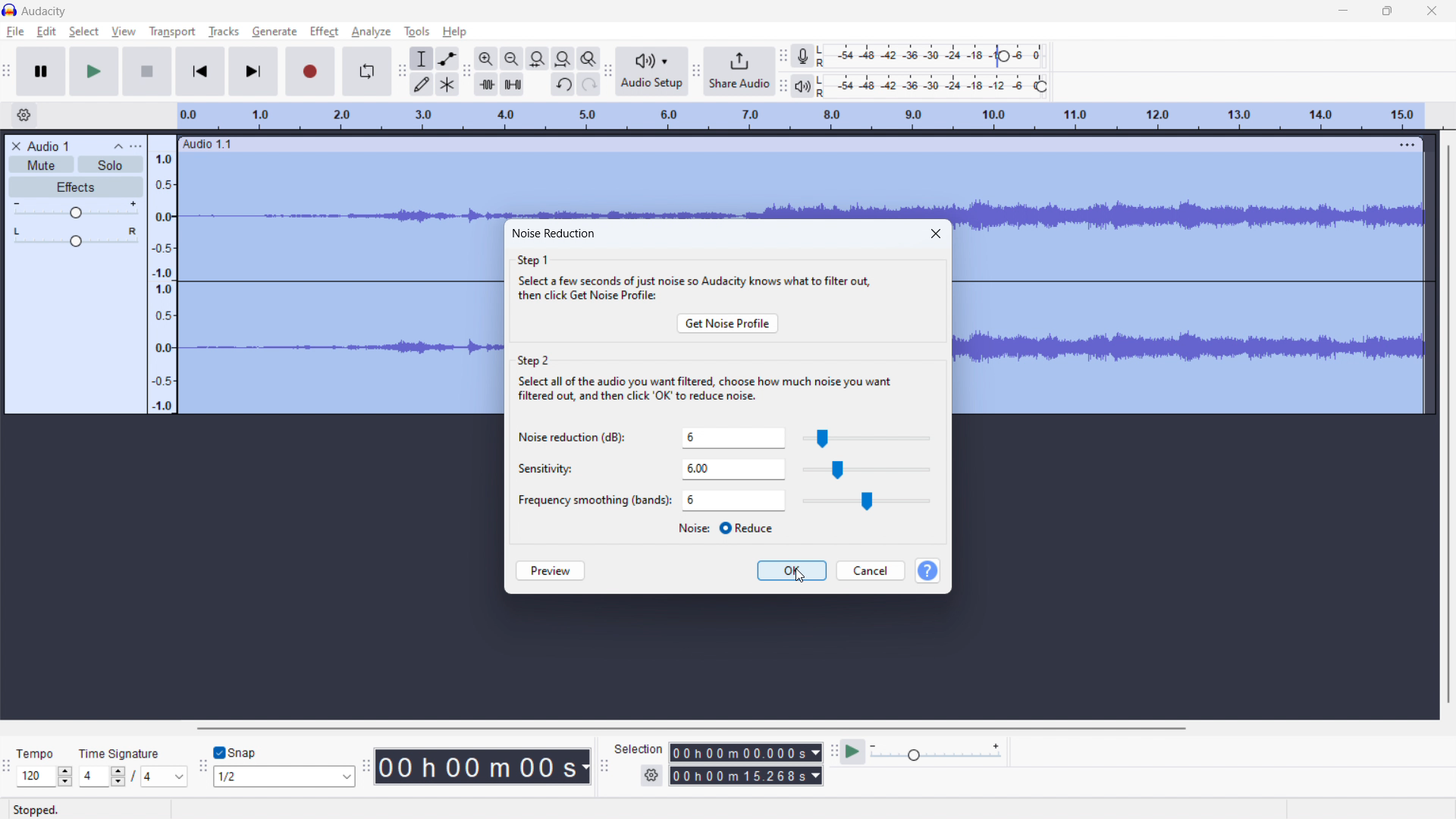  I want to click on playback meter, so click(937, 86).